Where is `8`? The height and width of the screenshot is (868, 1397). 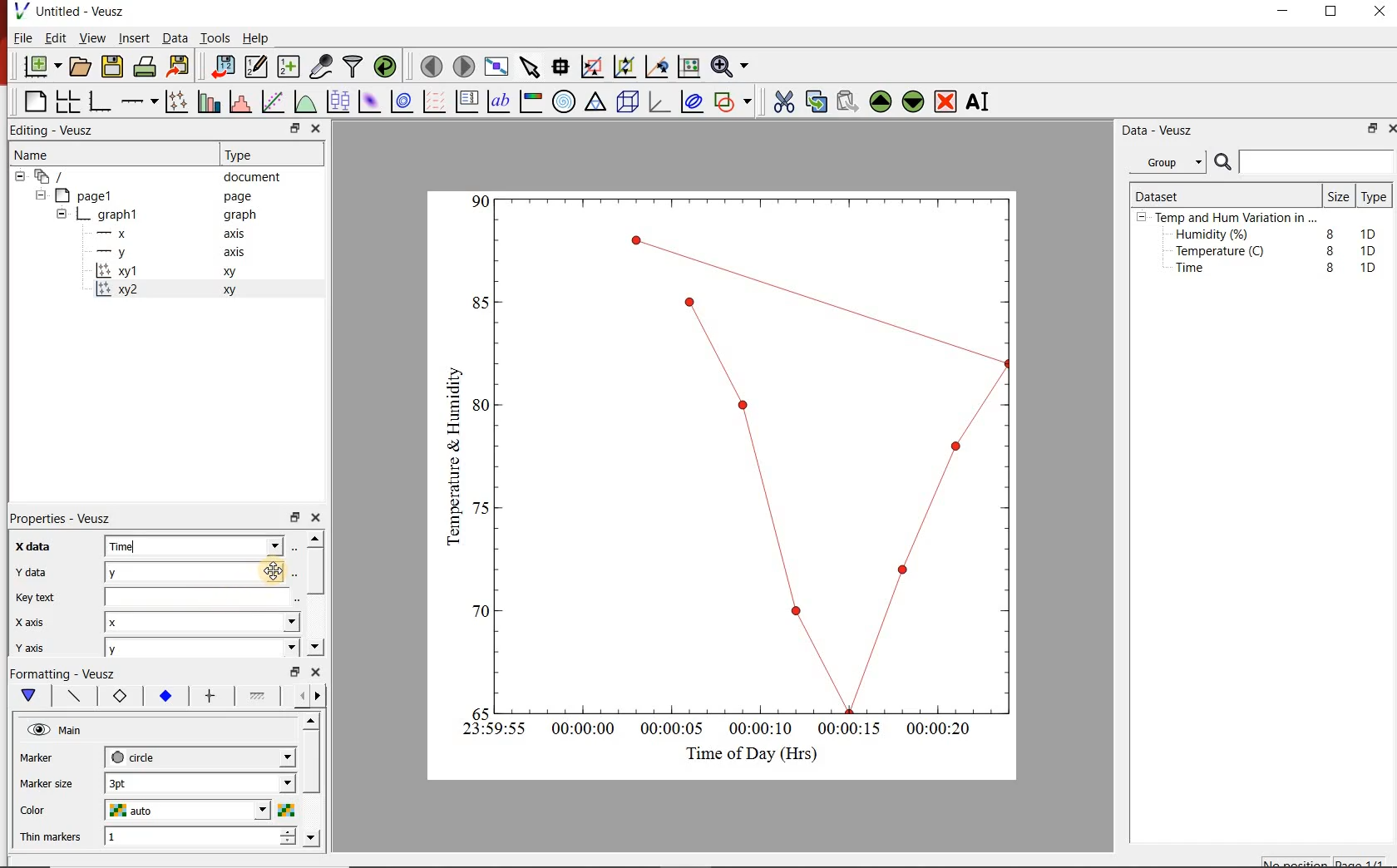 8 is located at coordinates (1330, 268).